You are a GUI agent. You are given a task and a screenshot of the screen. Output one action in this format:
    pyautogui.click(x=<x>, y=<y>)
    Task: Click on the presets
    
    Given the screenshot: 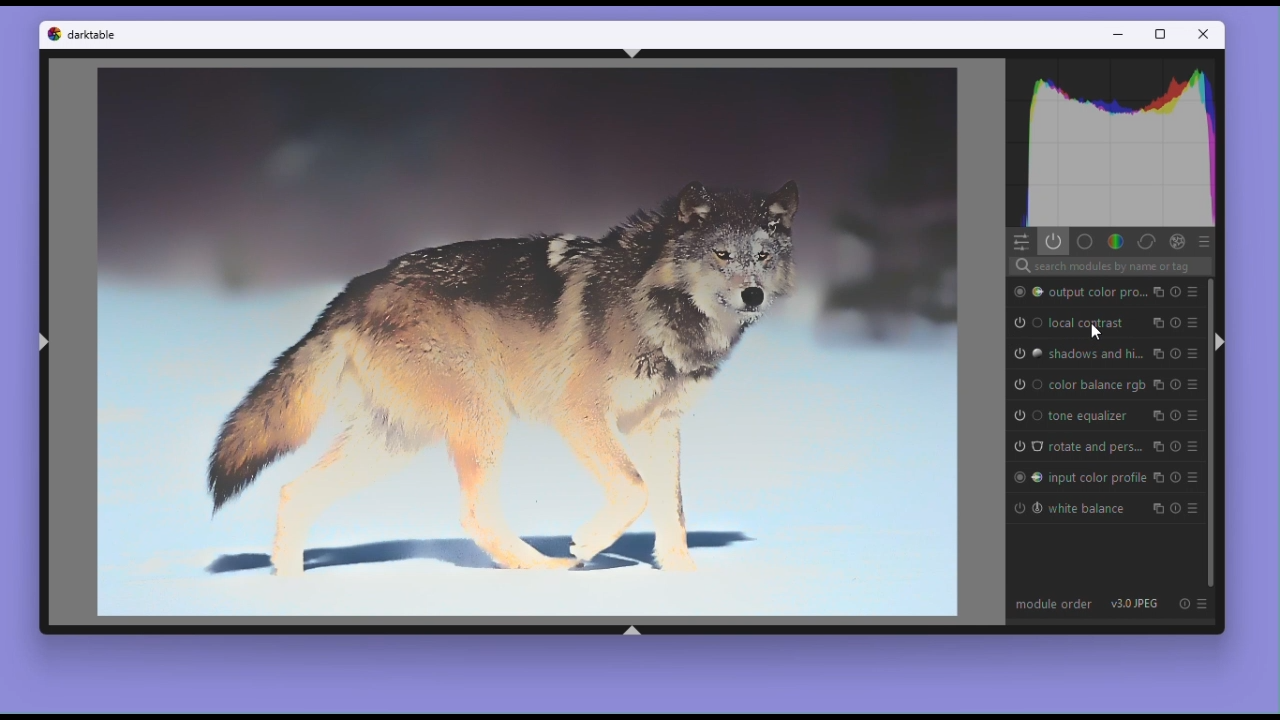 What is the action you would take?
    pyautogui.click(x=1191, y=292)
    